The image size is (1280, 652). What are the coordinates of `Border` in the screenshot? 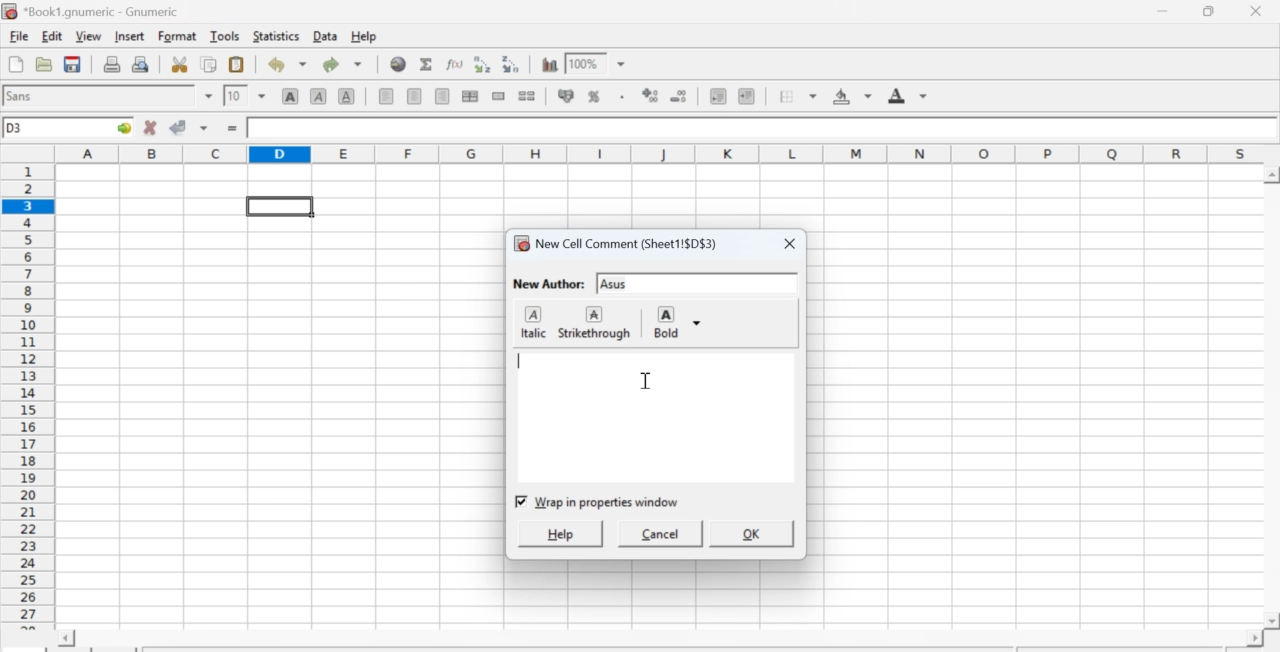 It's located at (798, 97).